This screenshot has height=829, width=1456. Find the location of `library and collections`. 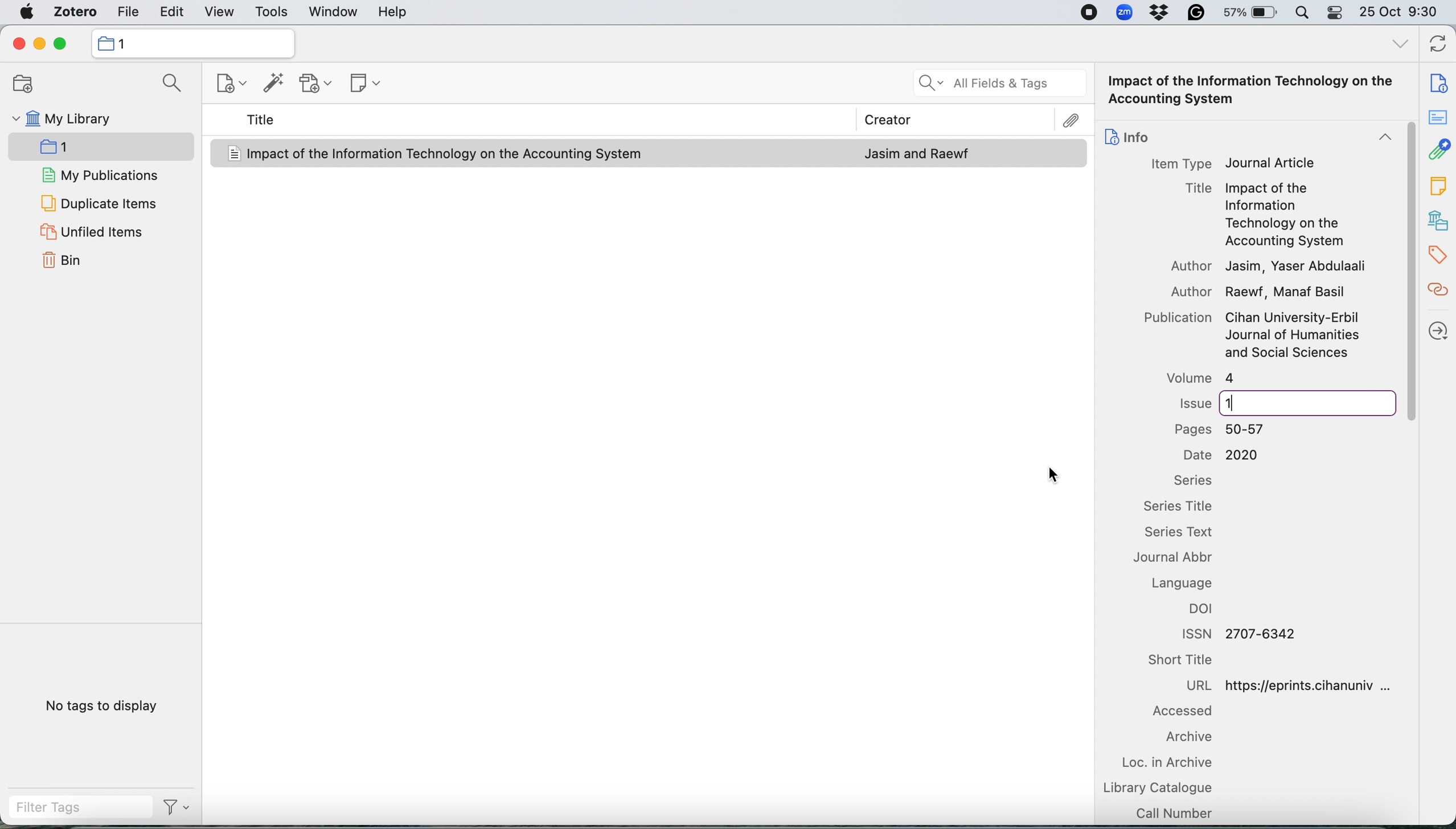

library and collections is located at coordinates (1437, 219).